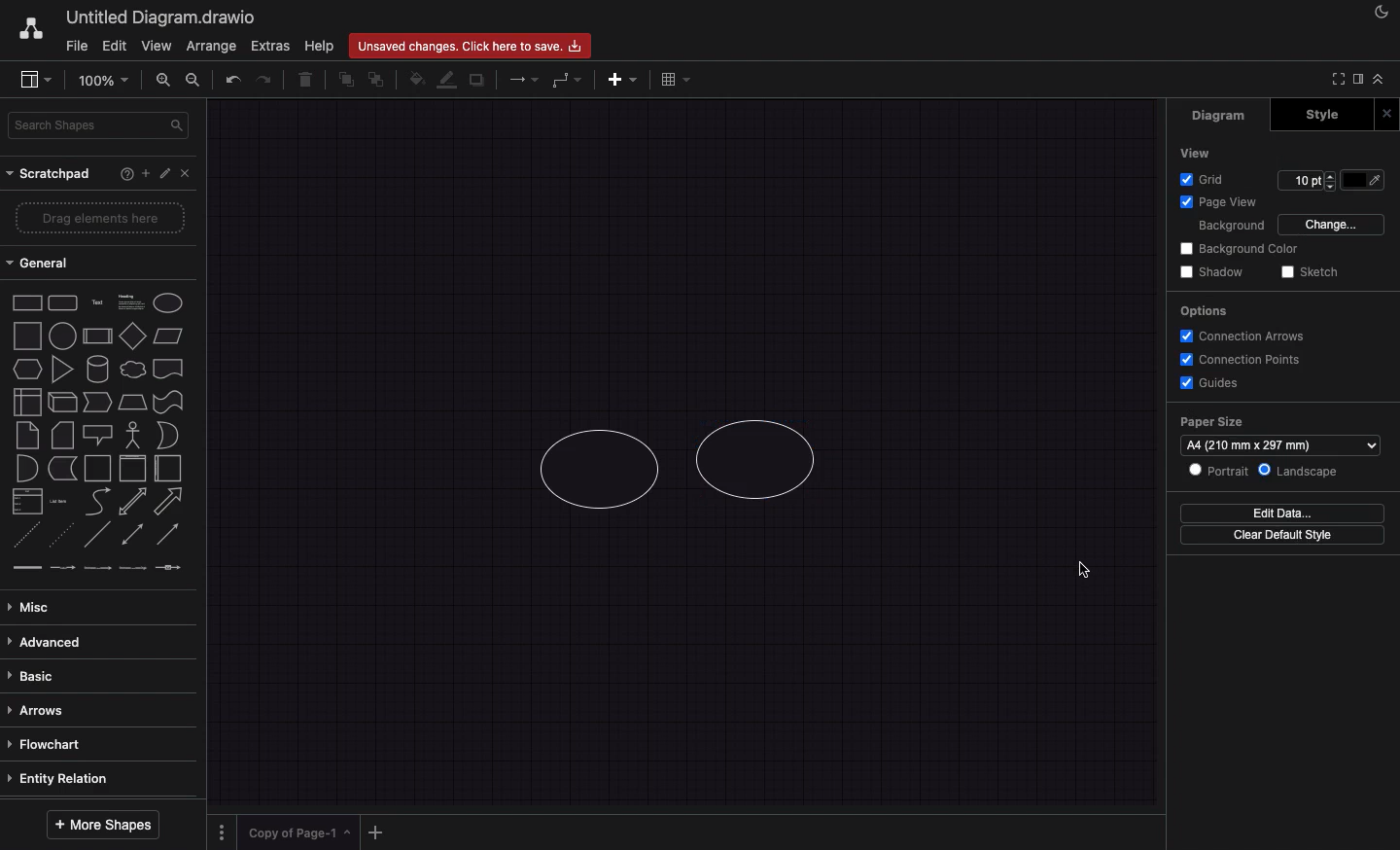 The image size is (1400, 850). I want to click on portrait , so click(1220, 472).